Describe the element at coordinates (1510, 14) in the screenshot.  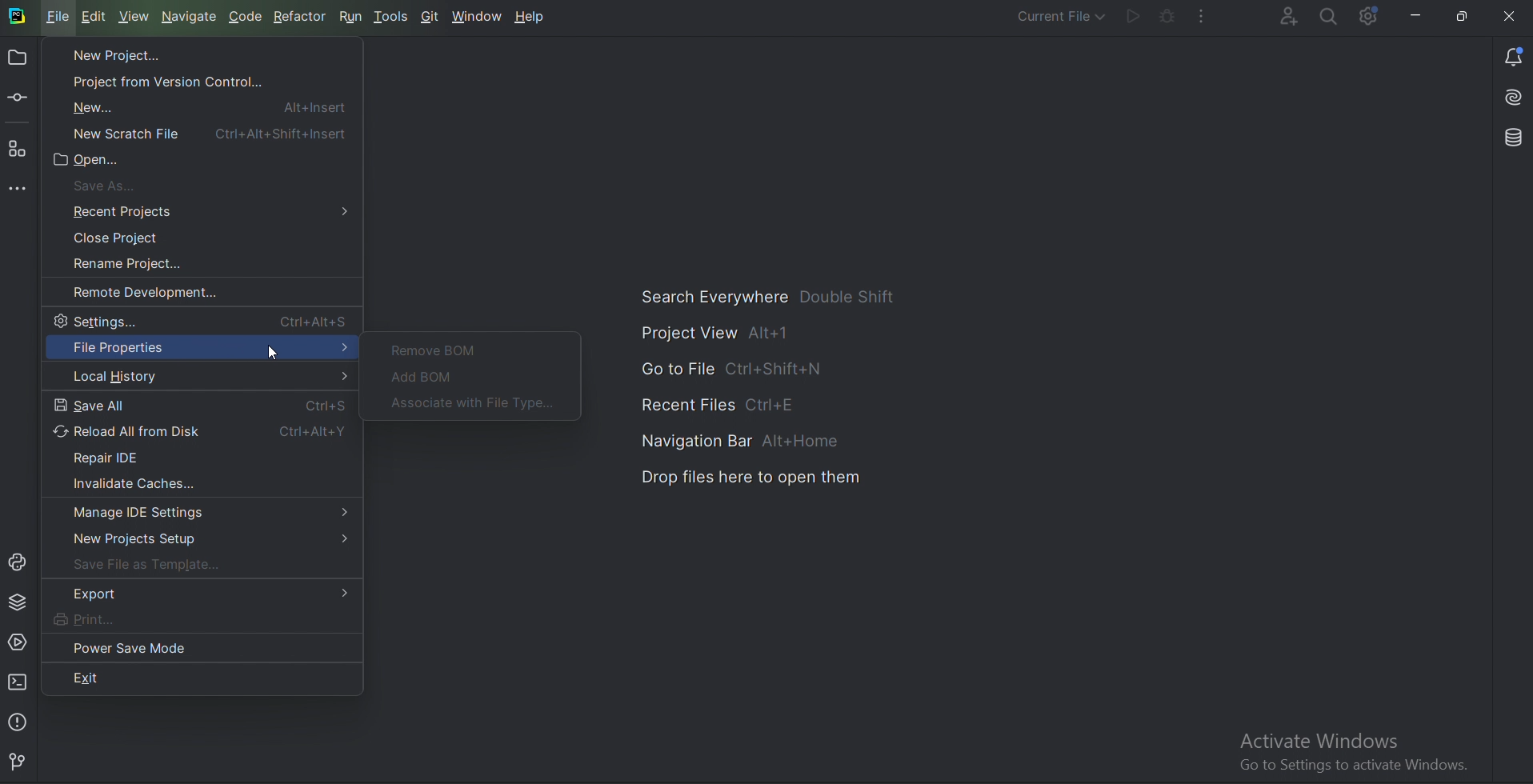
I see `Cross` at that location.